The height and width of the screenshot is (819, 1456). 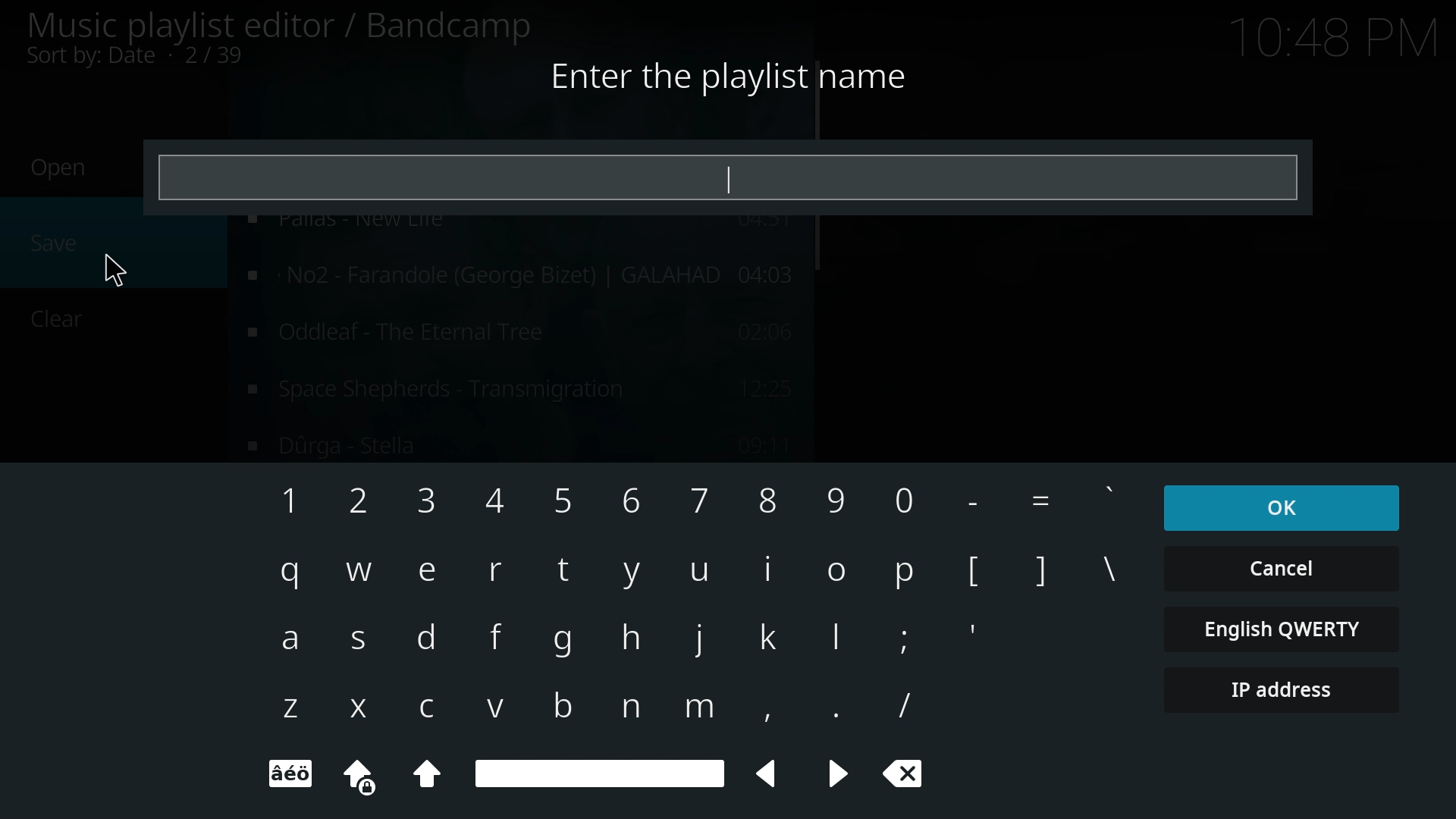 What do you see at coordinates (71, 231) in the screenshot?
I see `save` at bounding box center [71, 231].